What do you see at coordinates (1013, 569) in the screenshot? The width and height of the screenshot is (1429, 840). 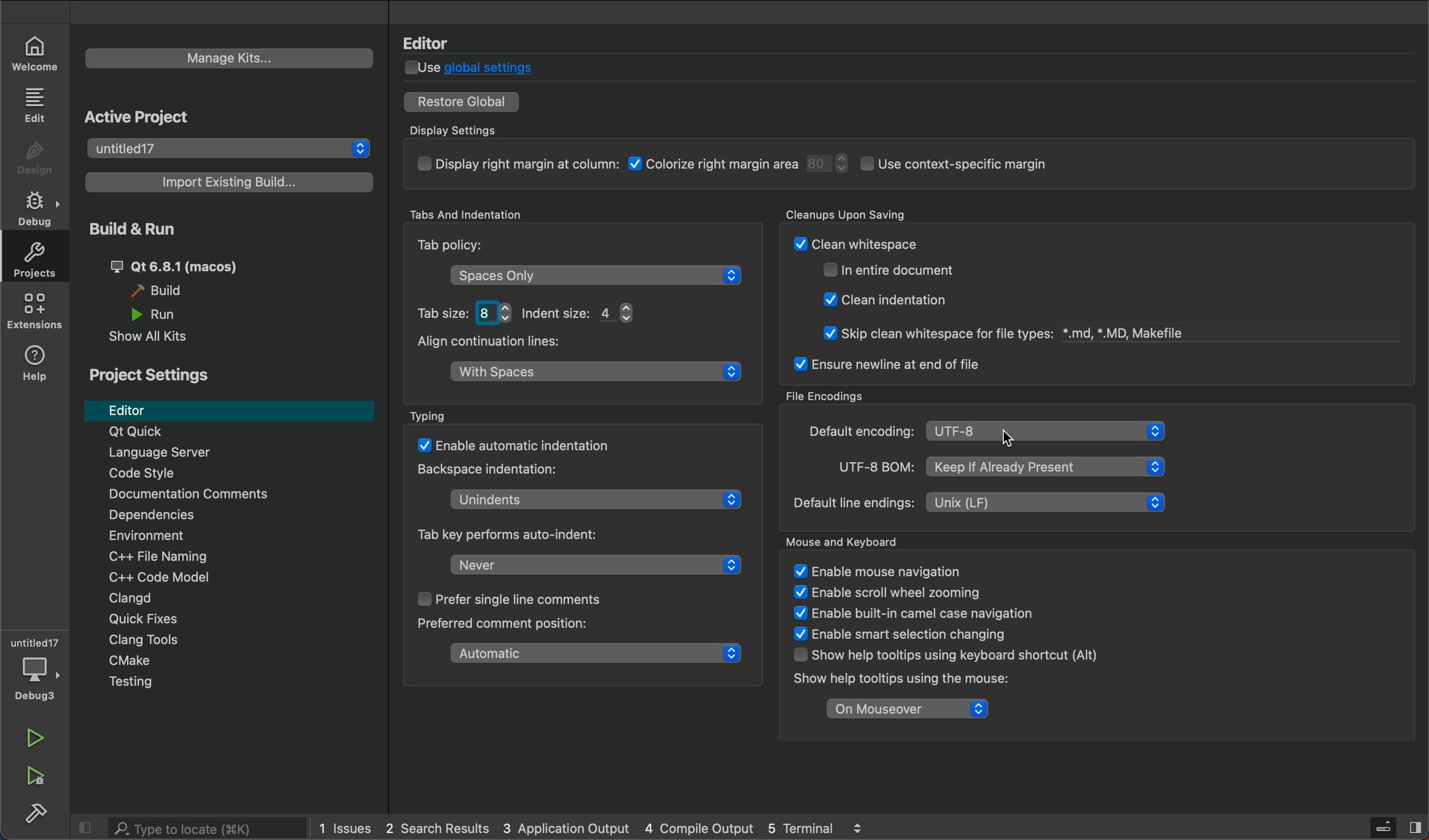 I see `mouse and keyboard settings` at bounding box center [1013, 569].